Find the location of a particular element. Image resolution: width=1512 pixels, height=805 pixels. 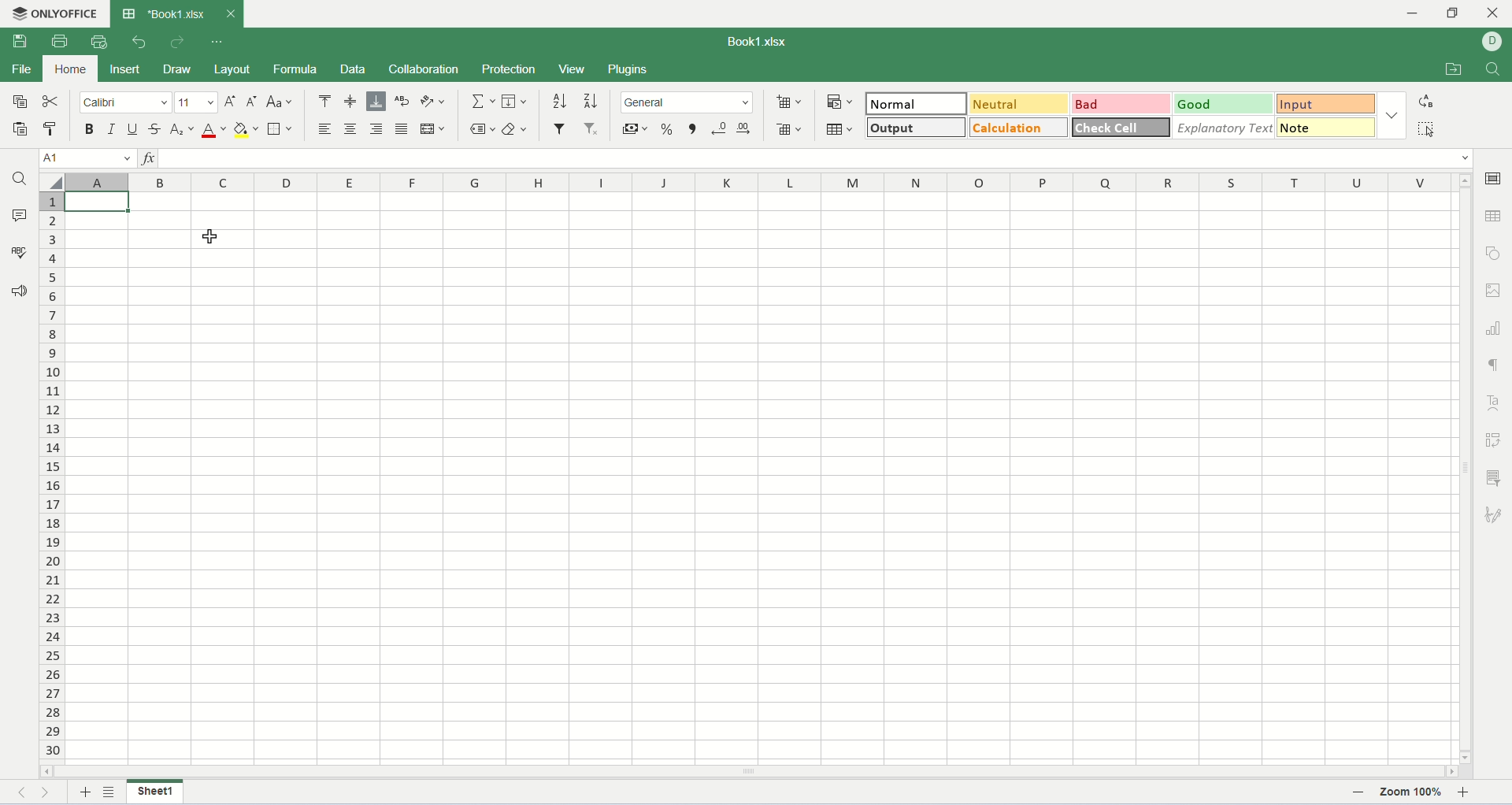

table is located at coordinates (839, 128).